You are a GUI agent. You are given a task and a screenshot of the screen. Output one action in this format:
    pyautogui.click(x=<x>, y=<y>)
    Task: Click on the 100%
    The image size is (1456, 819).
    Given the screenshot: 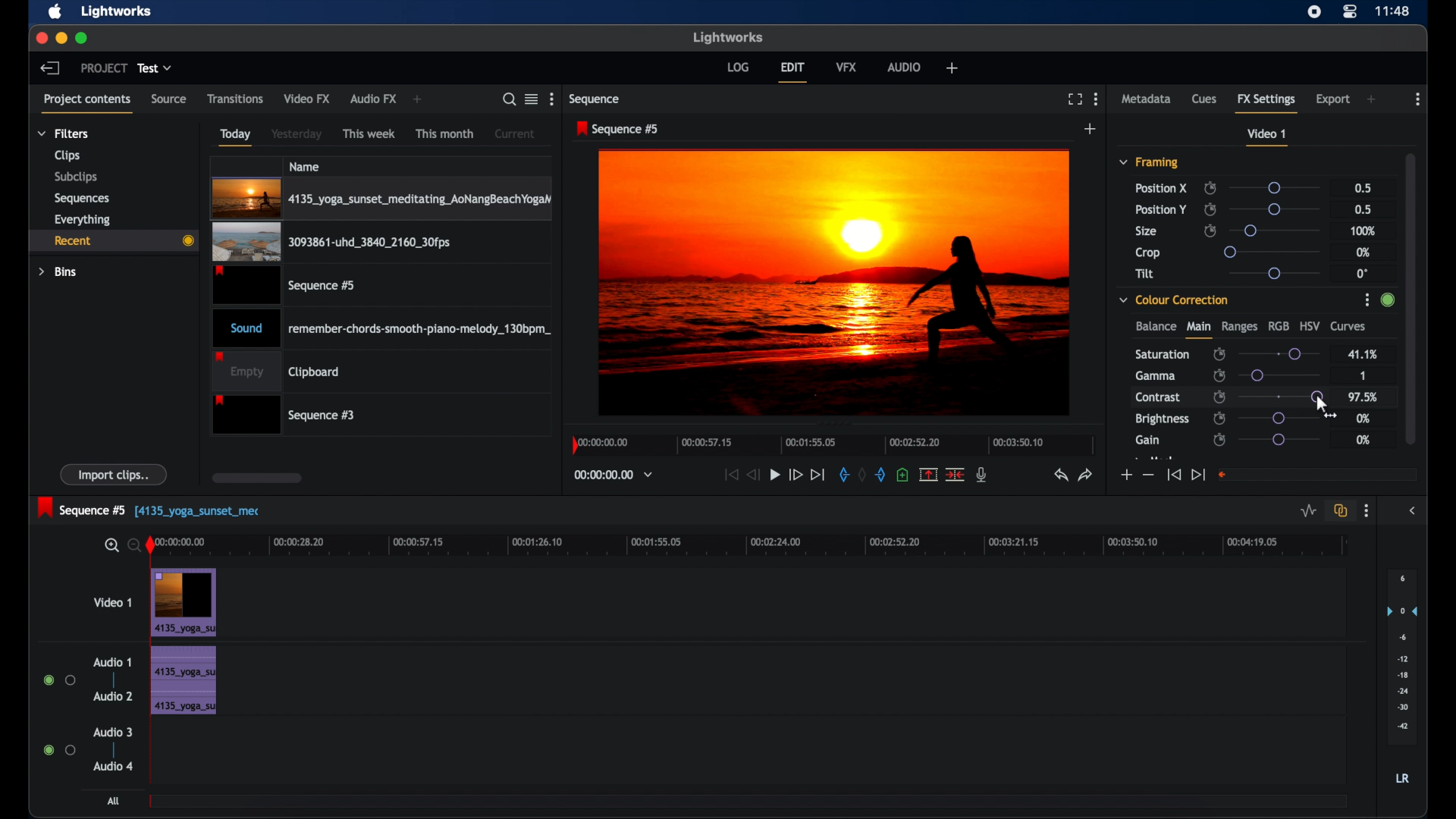 What is the action you would take?
    pyautogui.click(x=1363, y=231)
    